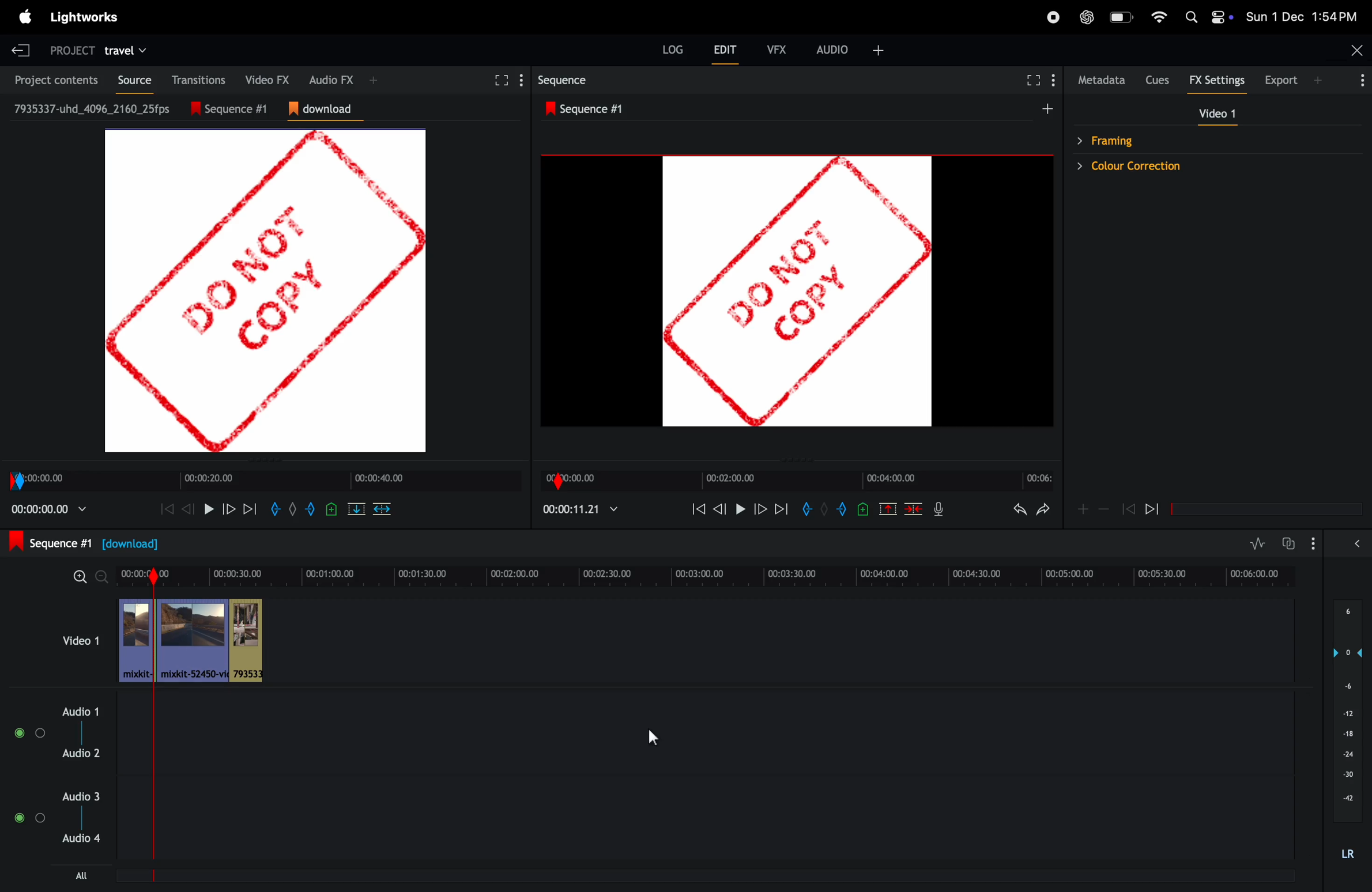 This screenshot has height=892, width=1372. Describe the element at coordinates (1348, 855) in the screenshot. I see `Text` at that location.